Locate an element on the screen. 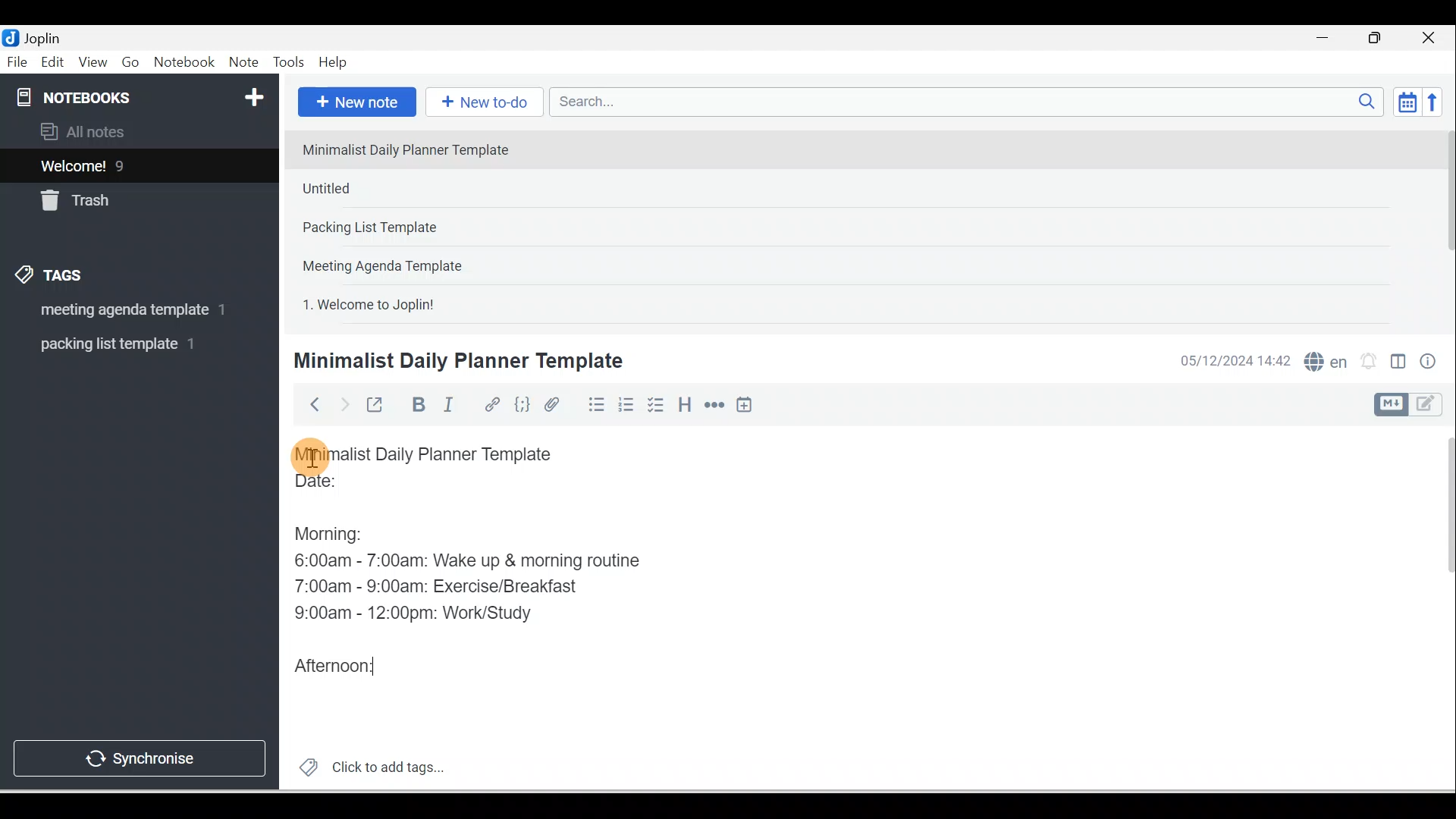 This screenshot has height=819, width=1456. Note properties is located at coordinates (1429, 363).